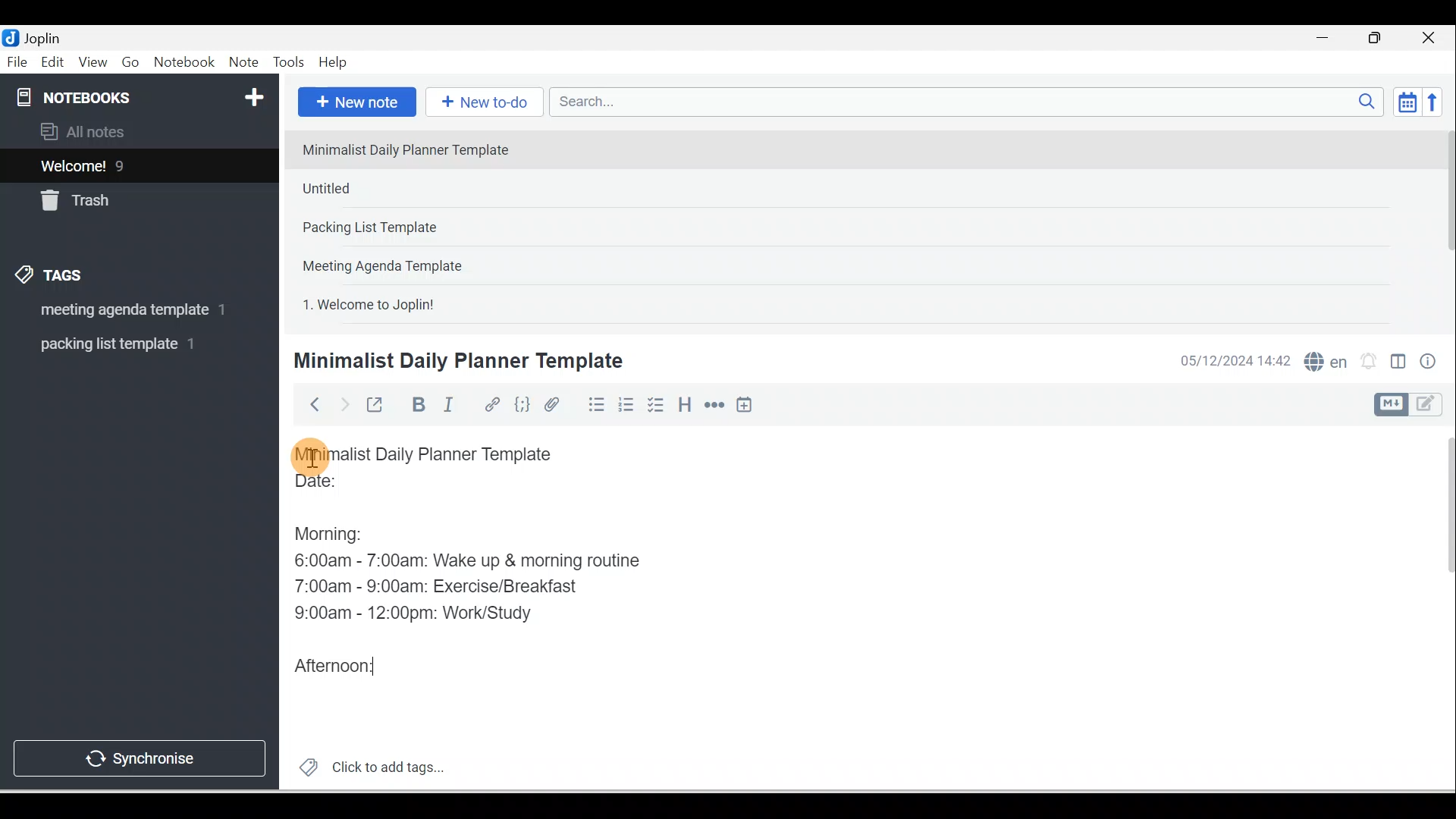 The image size is (1456, 819). Describe the element at coordinates (716, 405) in the screenshot. I see `Horizontal rule` at that location.